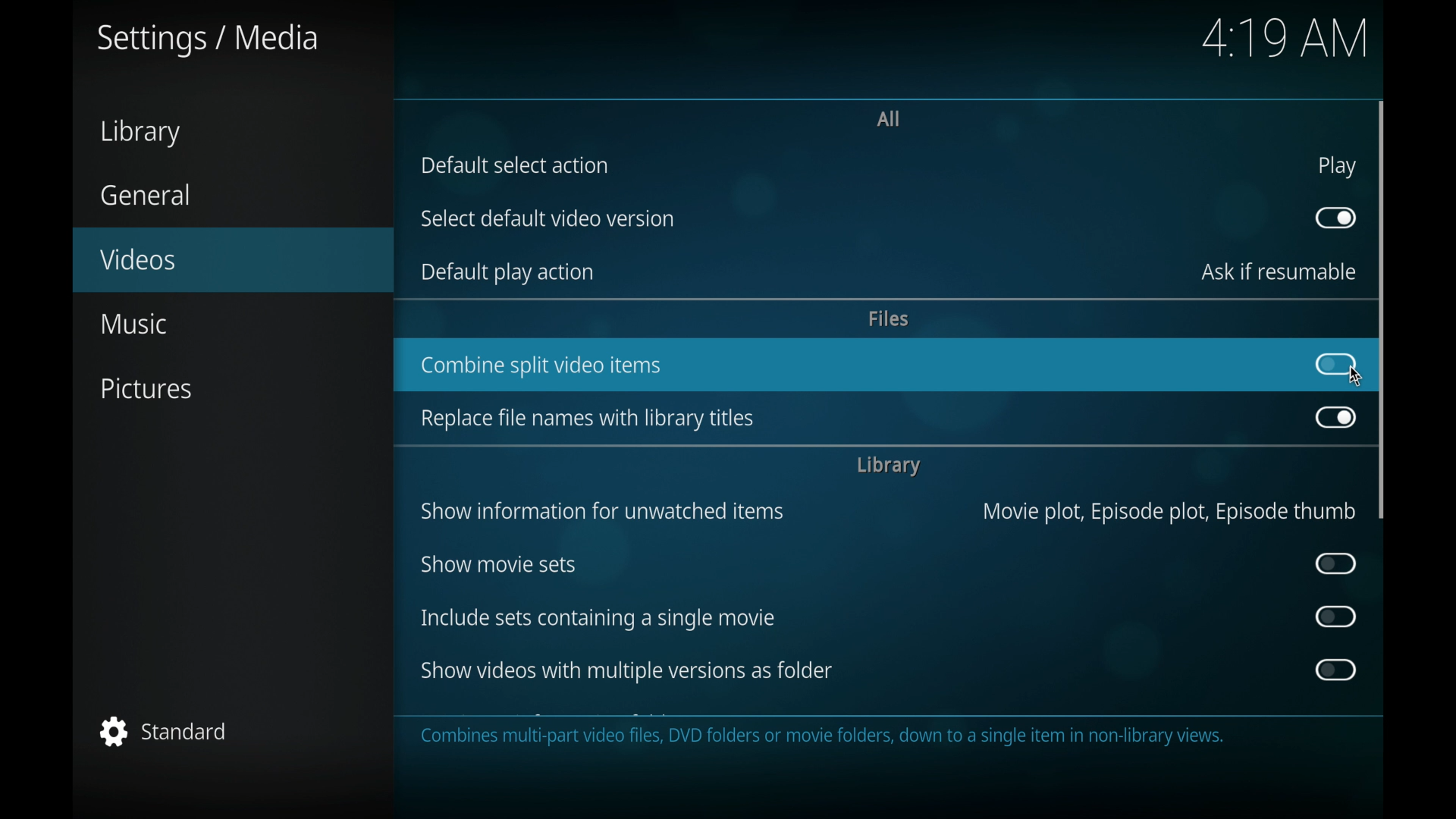 The height and width of the screenshot is (819, 1456). What do you see at coordinates (142, 133) in the screenshot?
I see `library` at bounding box center [142, 133].